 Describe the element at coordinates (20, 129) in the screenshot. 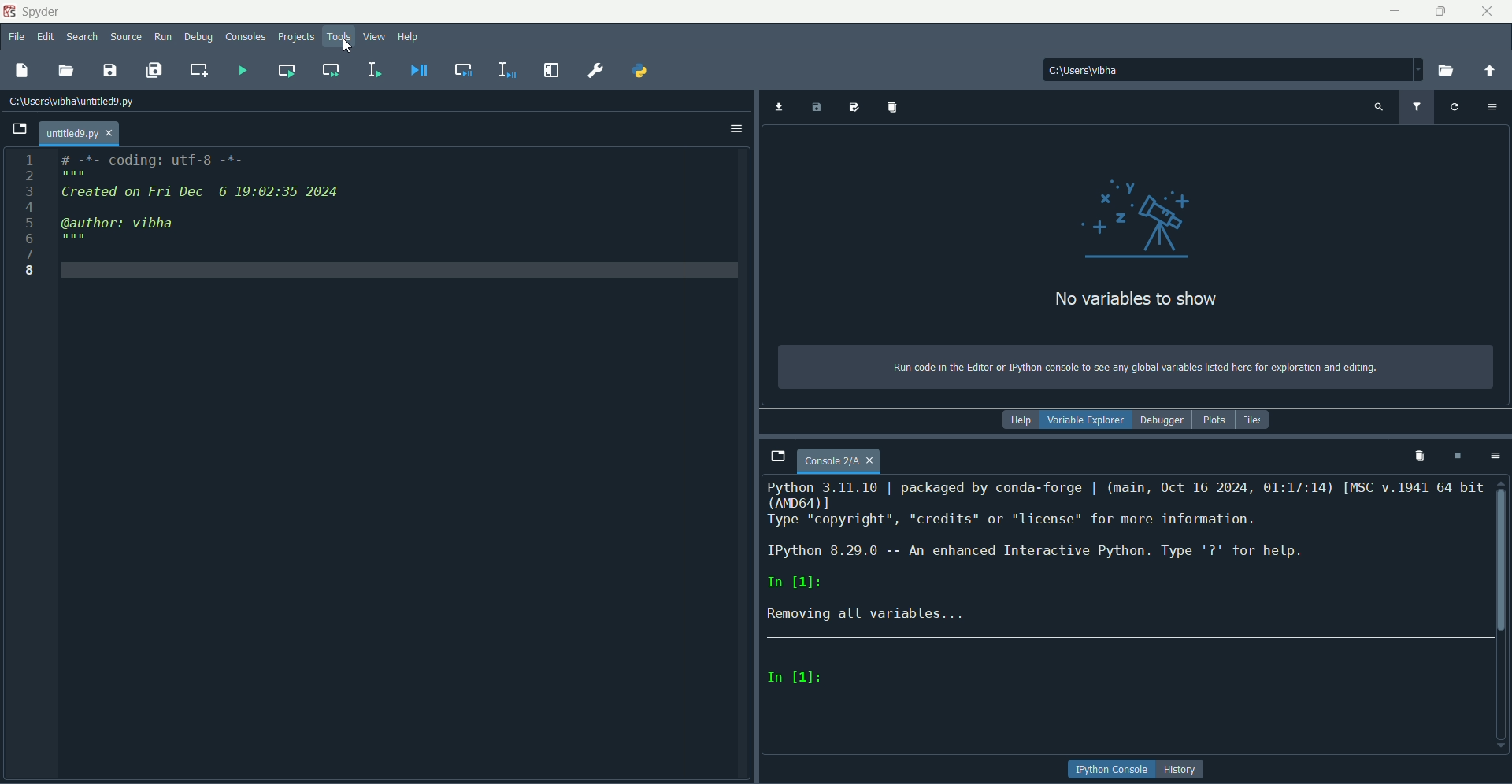

I see `Open file` at that location.